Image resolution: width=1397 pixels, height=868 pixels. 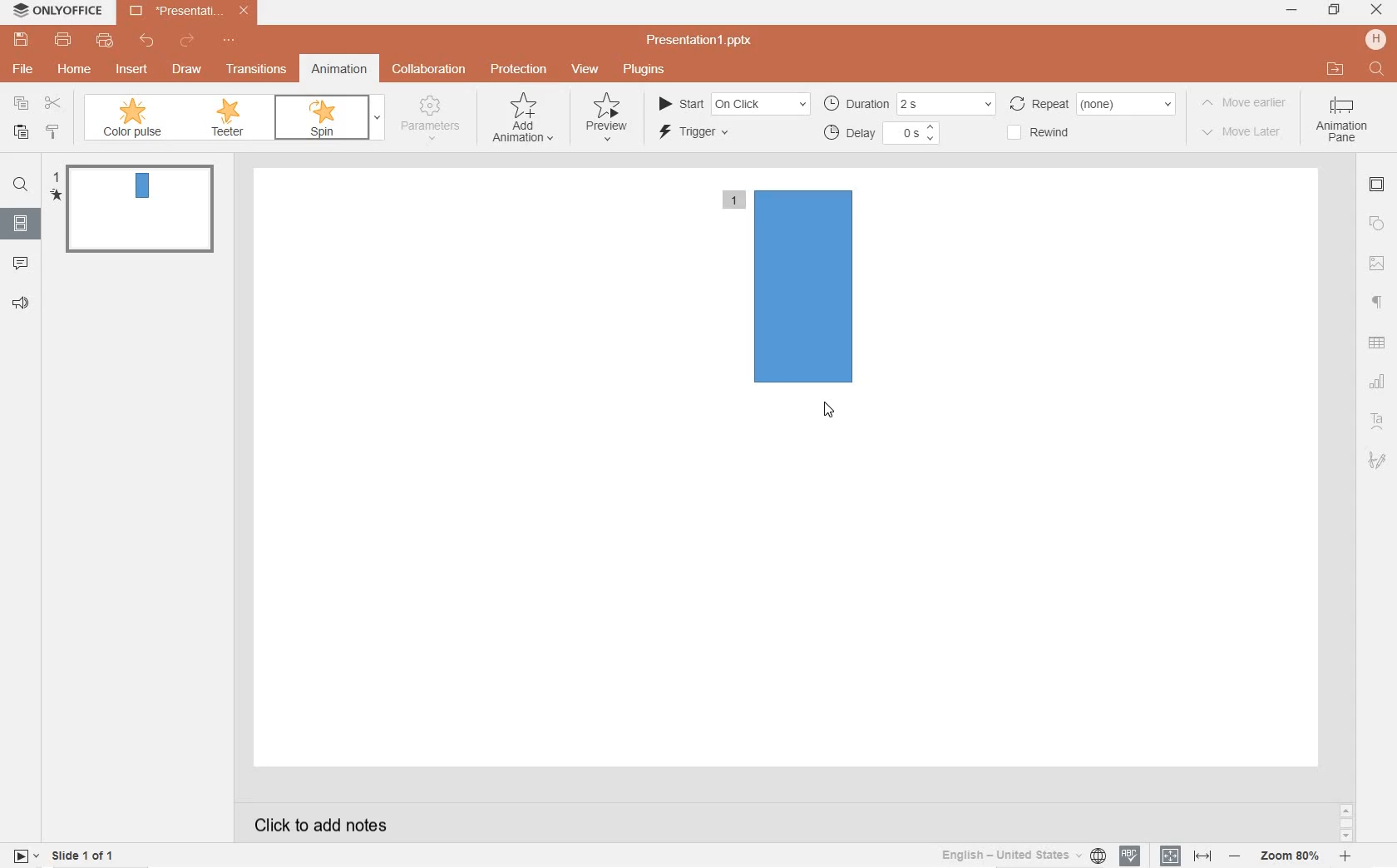 What do you see at coordinates (585, 70) in the screenshot?
I see `view` at bounding box center [585, 70].